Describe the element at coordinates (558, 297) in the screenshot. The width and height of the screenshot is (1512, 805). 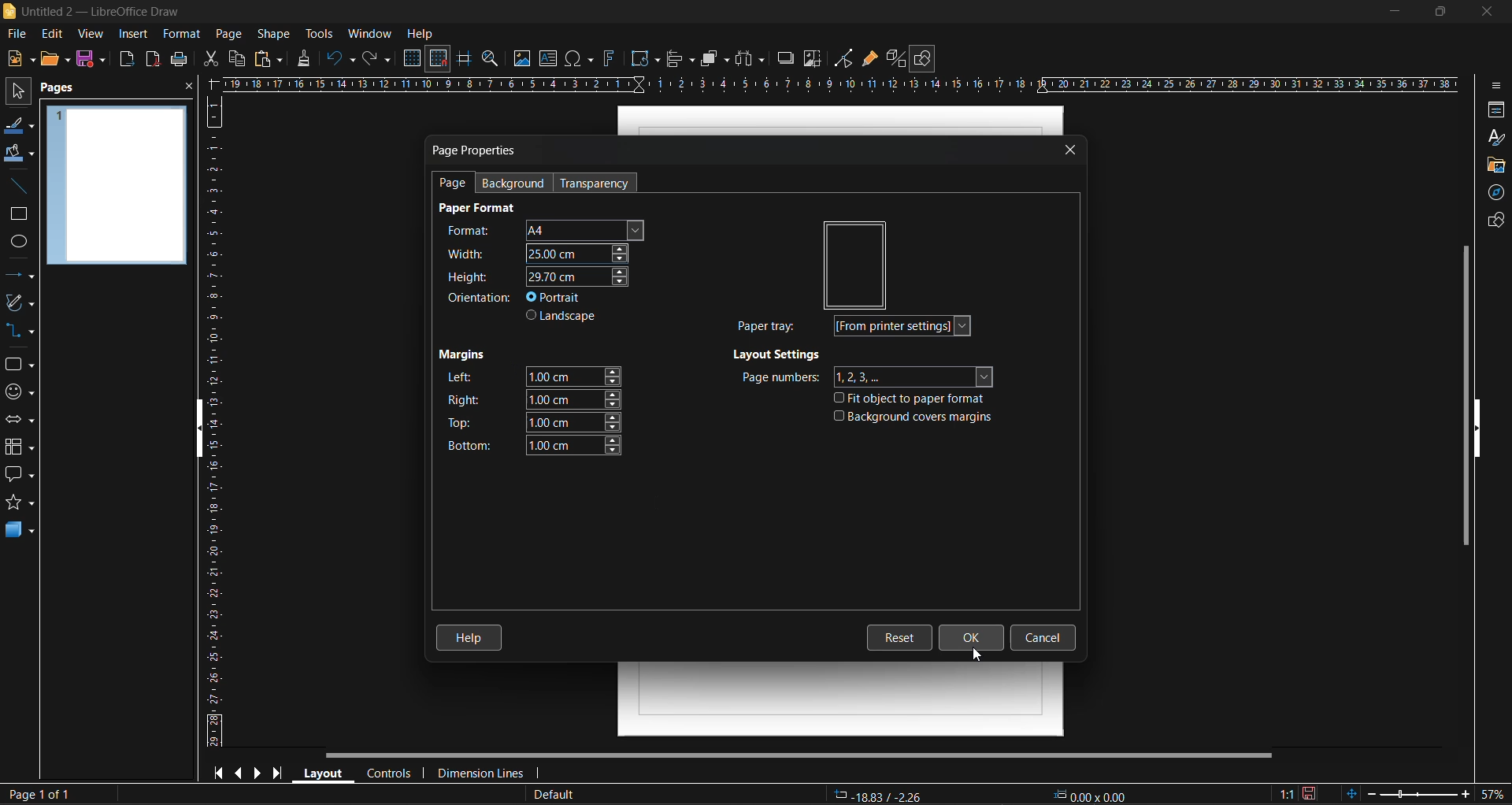
I see `portrait` at that location.